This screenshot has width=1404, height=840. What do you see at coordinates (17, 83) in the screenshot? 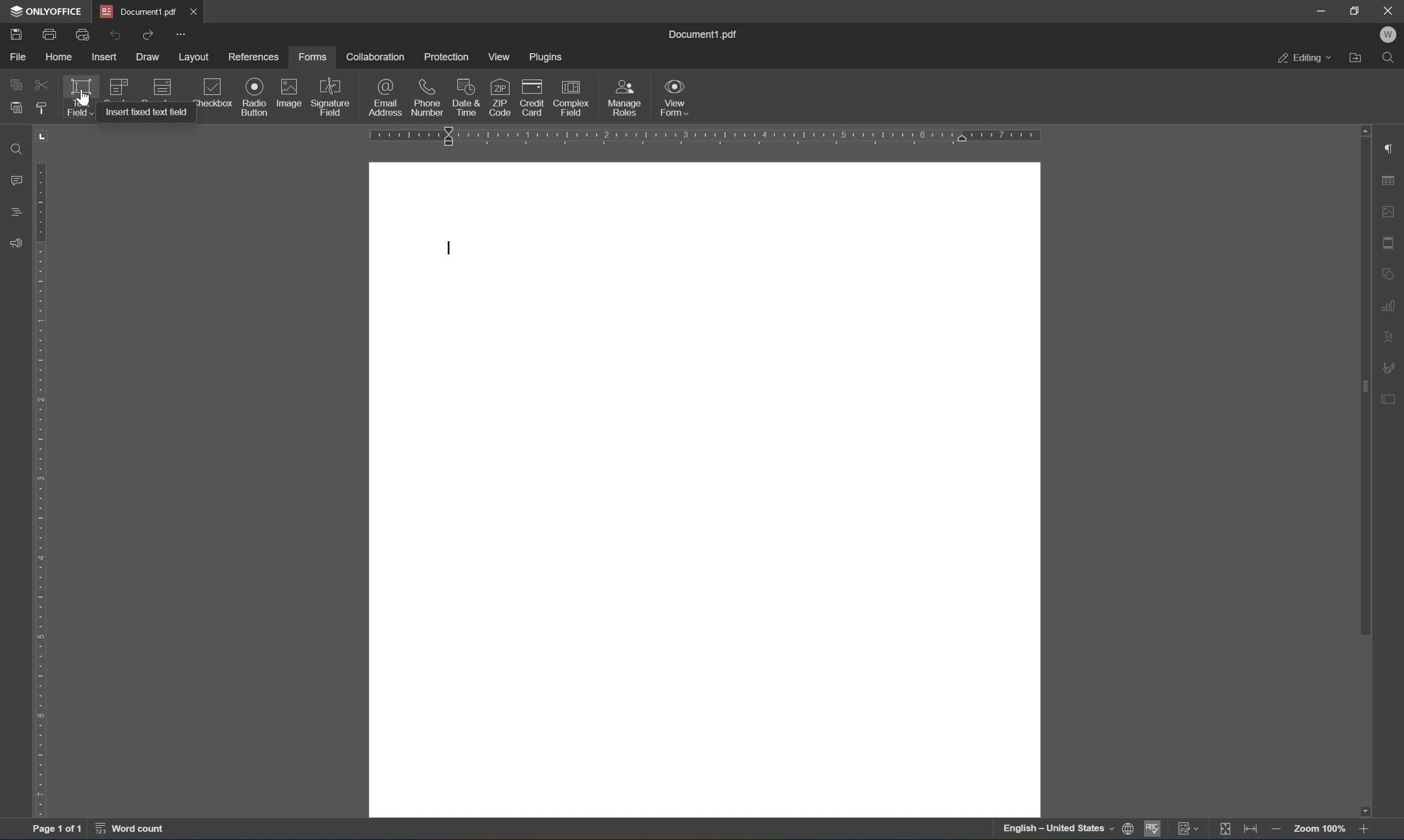
I see `copy` at bounding box center [17, 83].